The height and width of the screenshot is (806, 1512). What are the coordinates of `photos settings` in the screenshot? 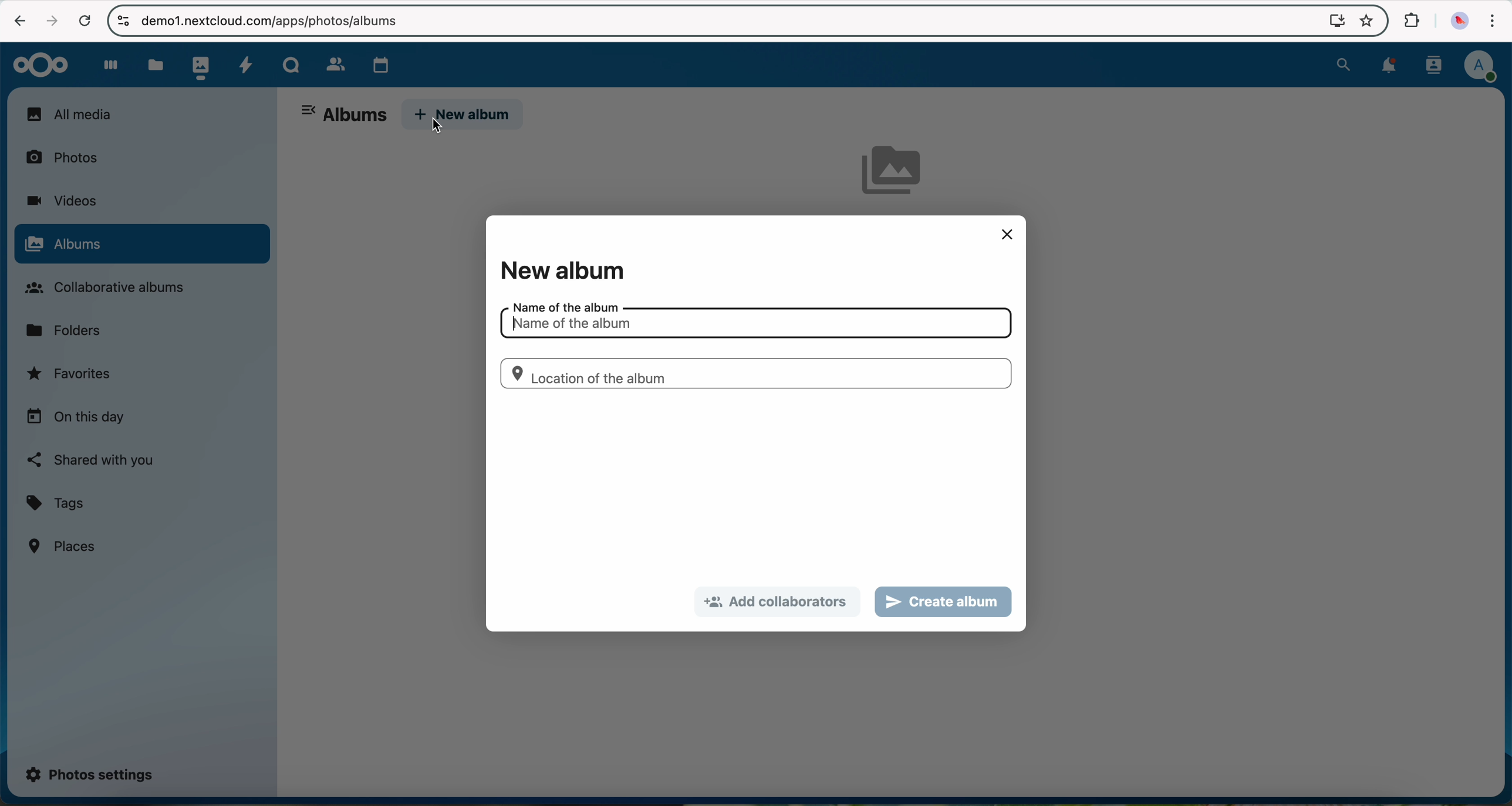 It's located at (90, 773).